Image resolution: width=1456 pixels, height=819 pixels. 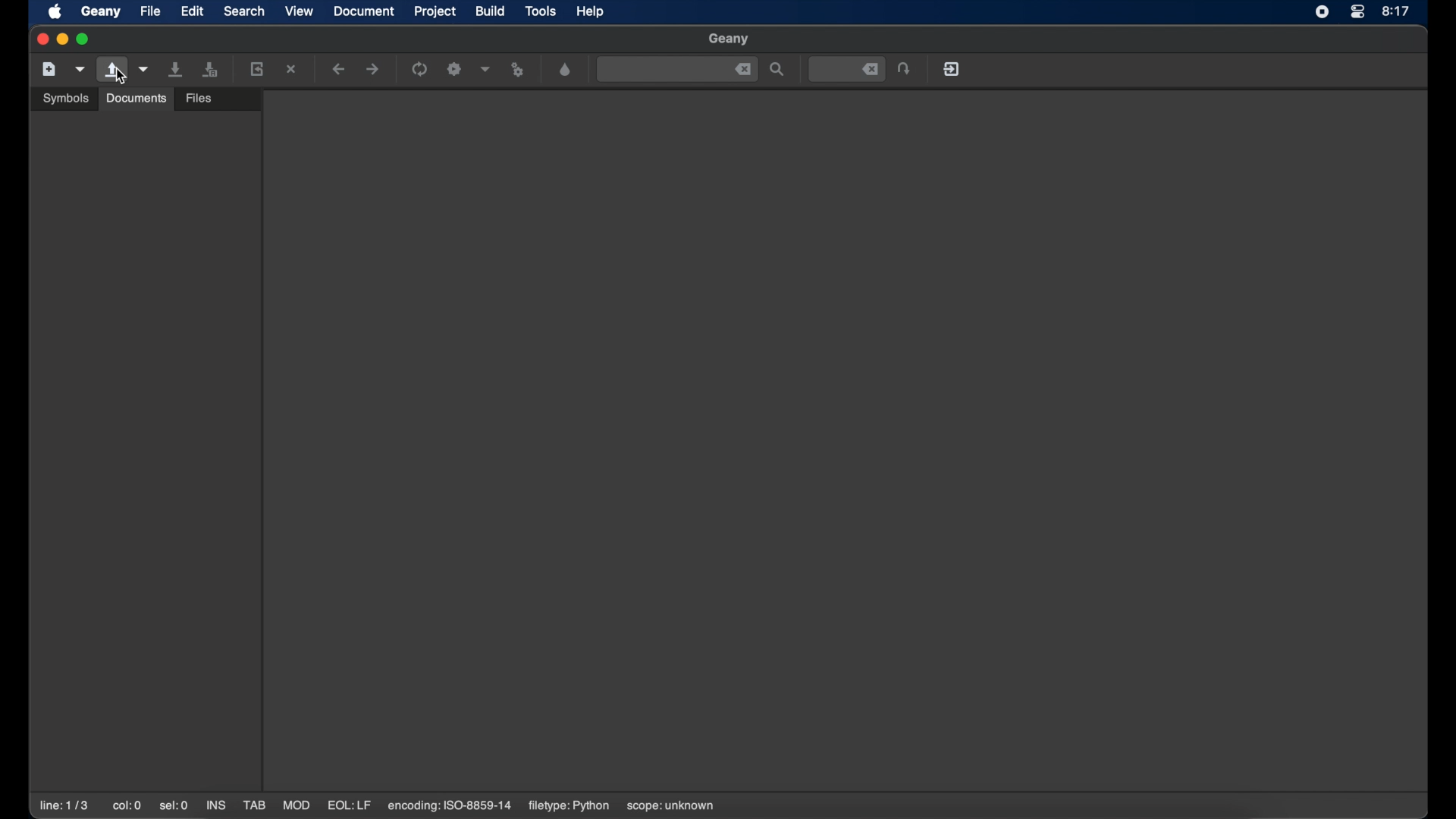 I want to click on choose more build actions, so click(x=486, y=69).